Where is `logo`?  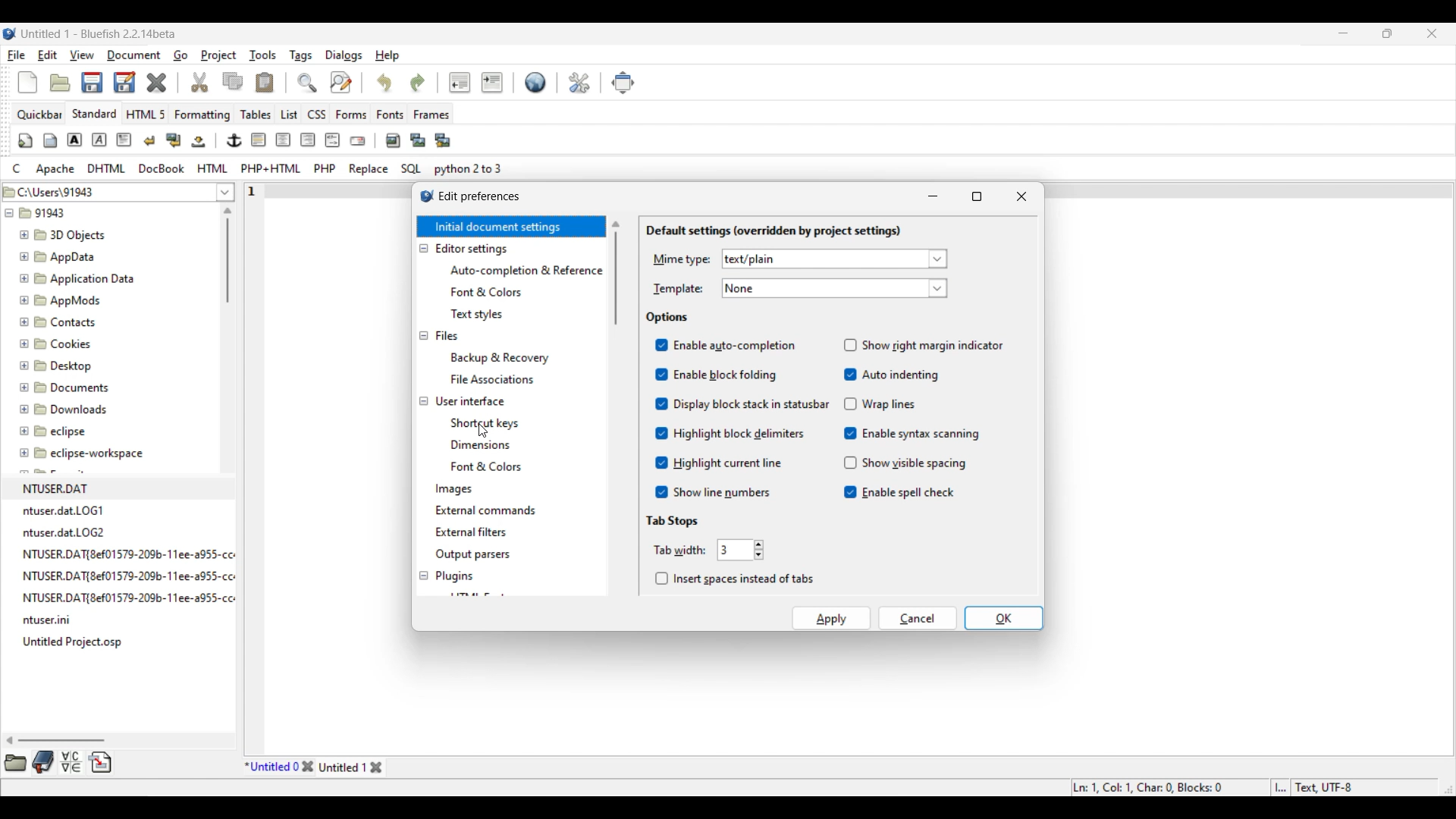
logo is located at coordinates (421, 199).